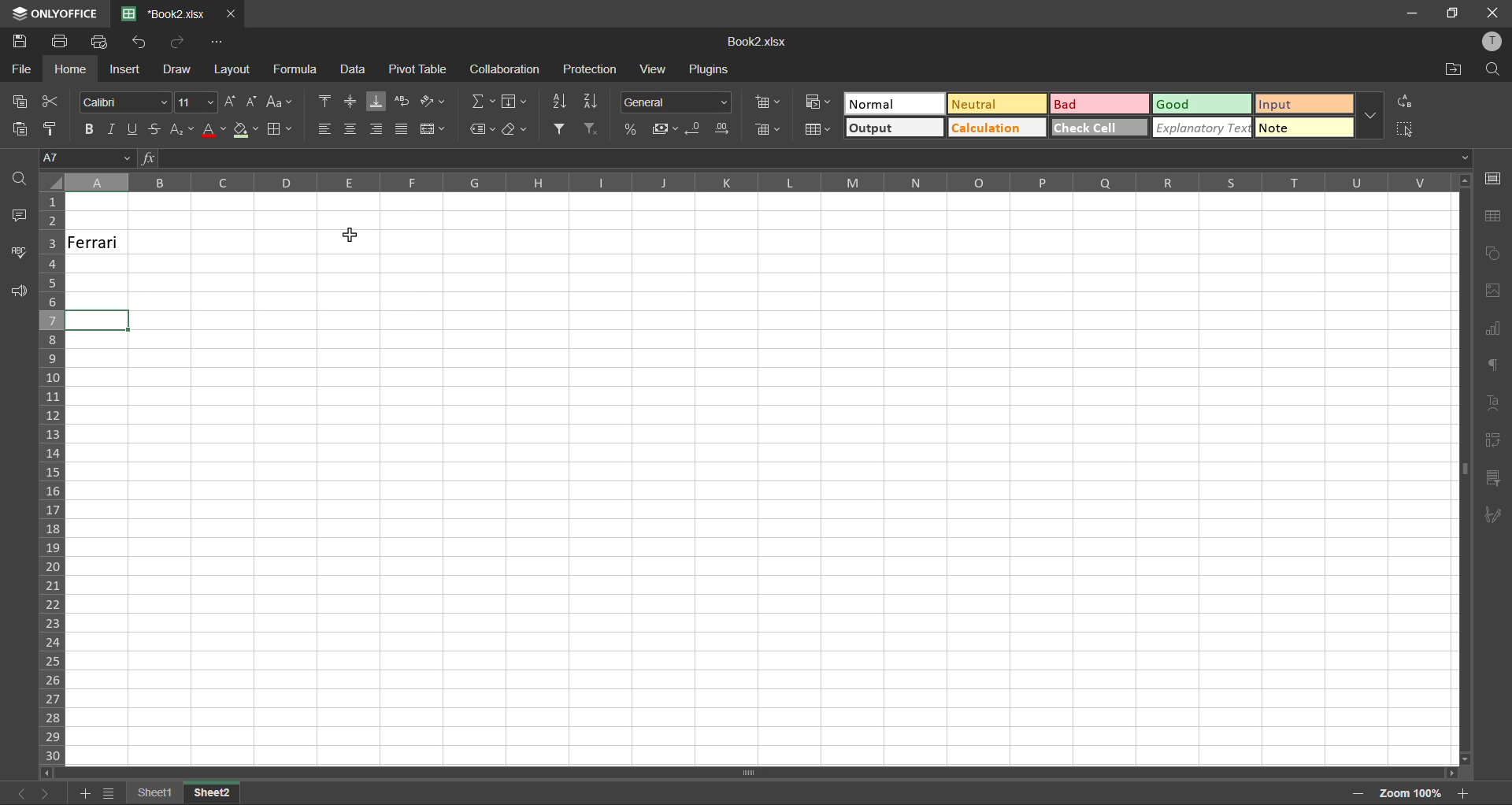 The height and width of the screenshot is (805, 1512). I want to click on draw, so click(180, 69).